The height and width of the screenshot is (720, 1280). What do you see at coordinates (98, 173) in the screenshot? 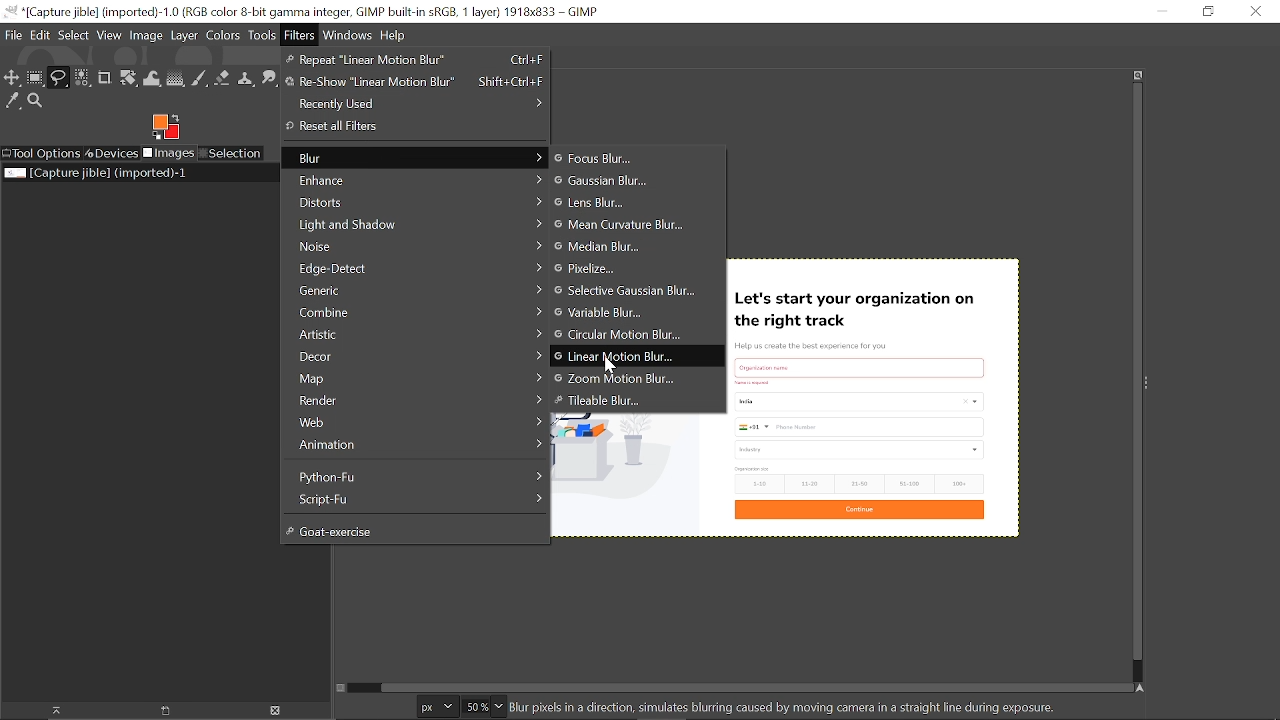
I see `Current image` at bounding box center [98, 173].